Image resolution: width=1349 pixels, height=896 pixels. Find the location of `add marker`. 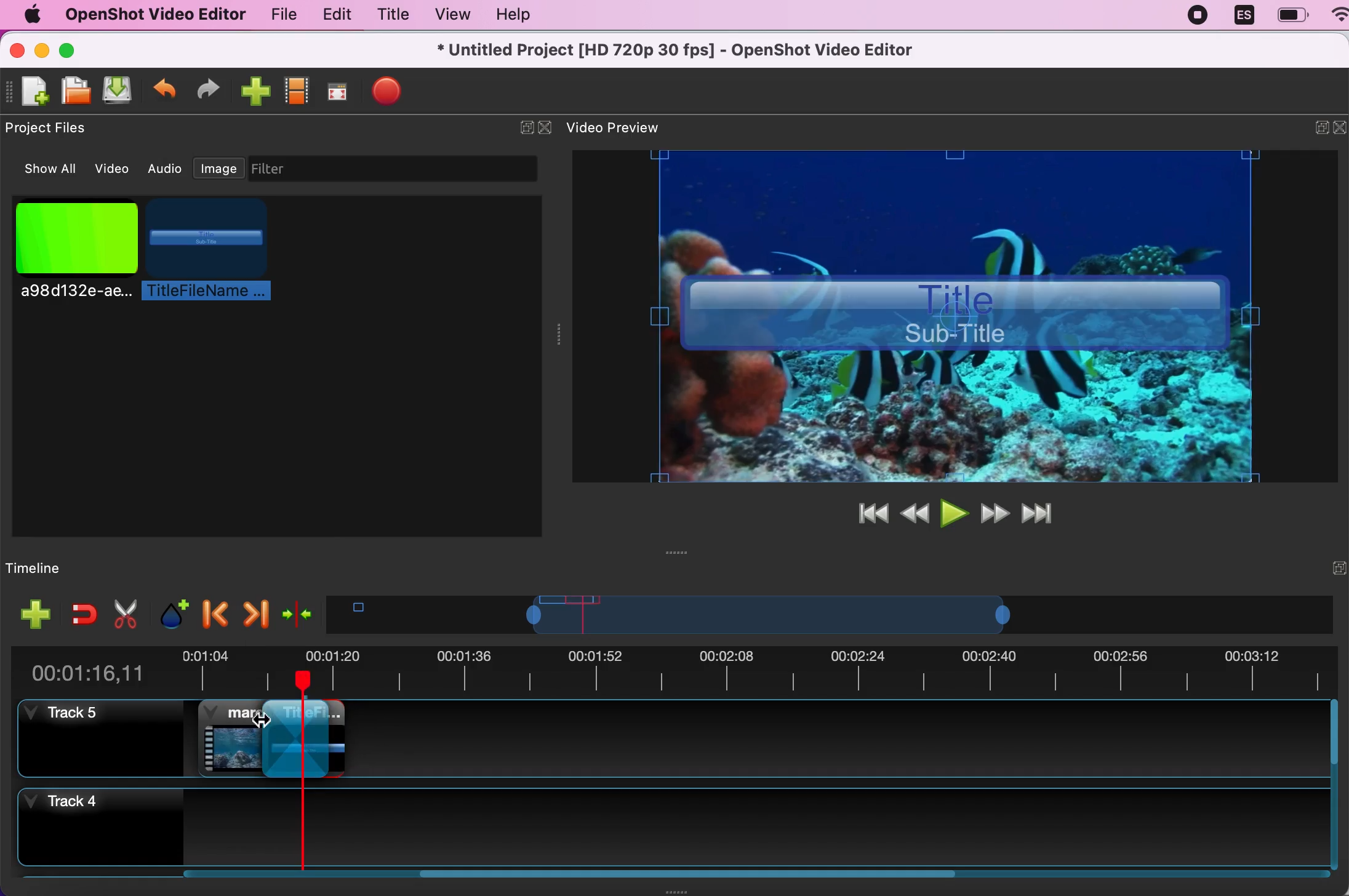

add marker is located at coordinates (169, 612).